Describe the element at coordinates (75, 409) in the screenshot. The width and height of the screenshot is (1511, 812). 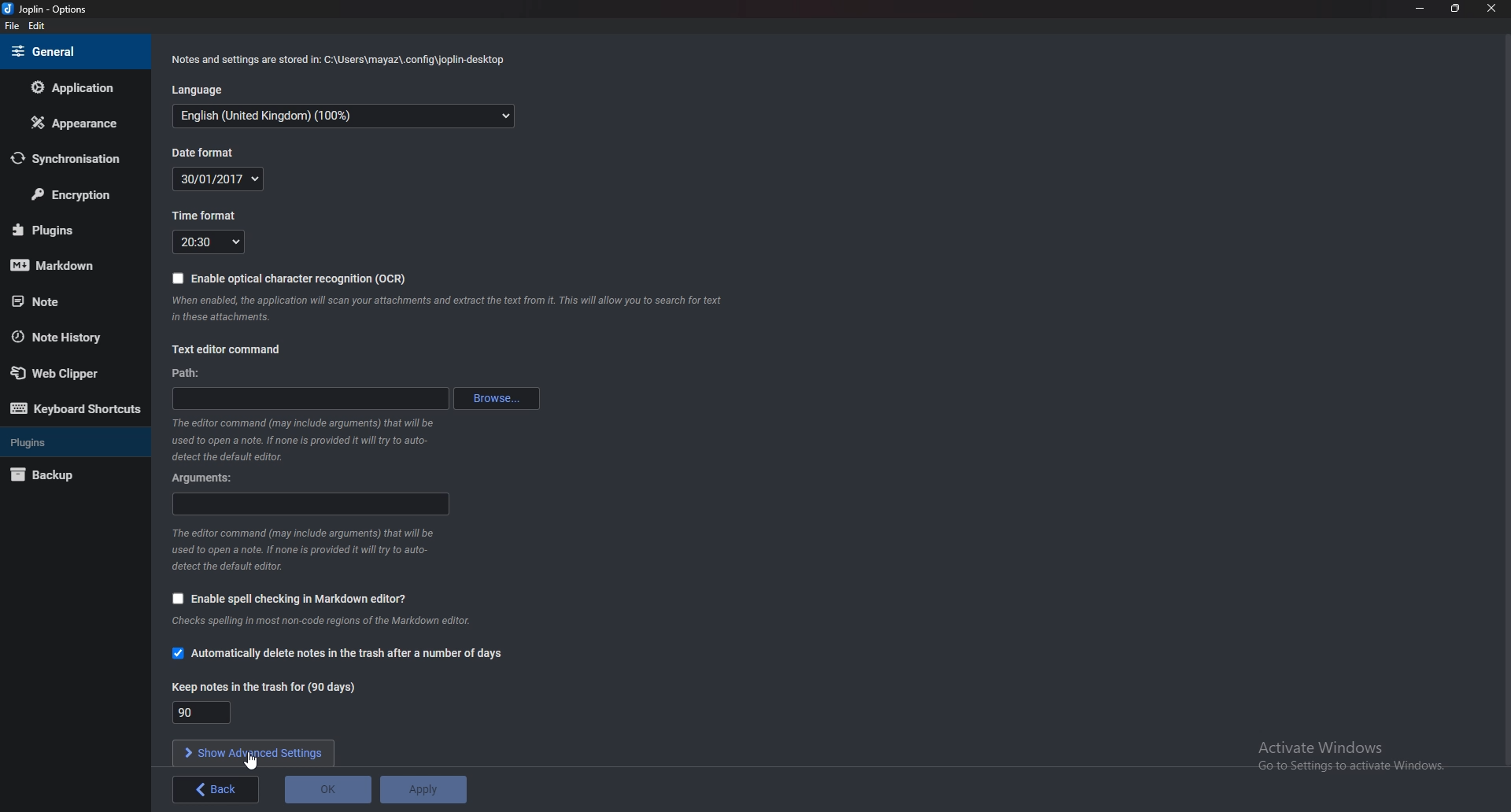
I see `Keyboard shortcuts` at that location.